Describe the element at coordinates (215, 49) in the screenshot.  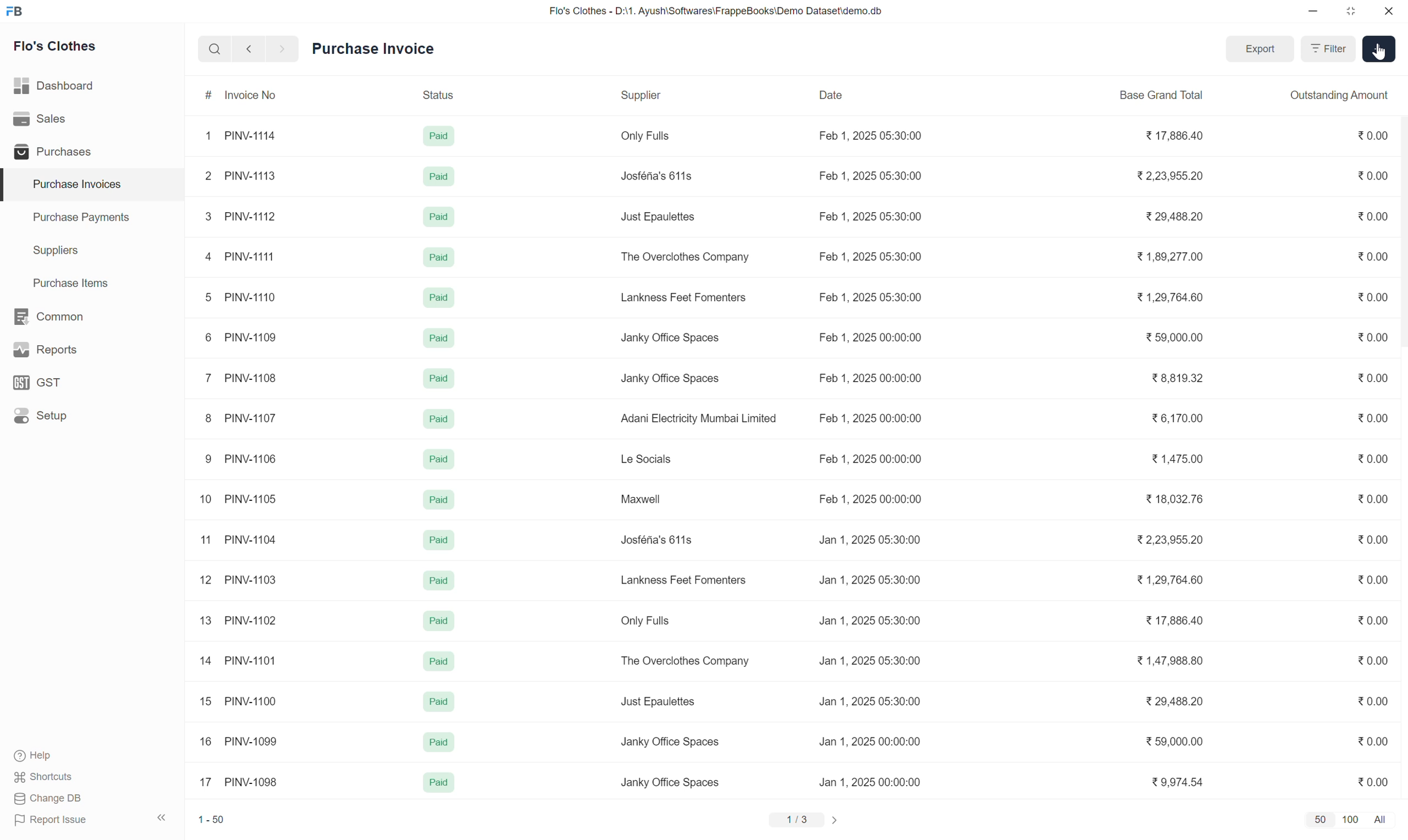
I see `Search` at that location.